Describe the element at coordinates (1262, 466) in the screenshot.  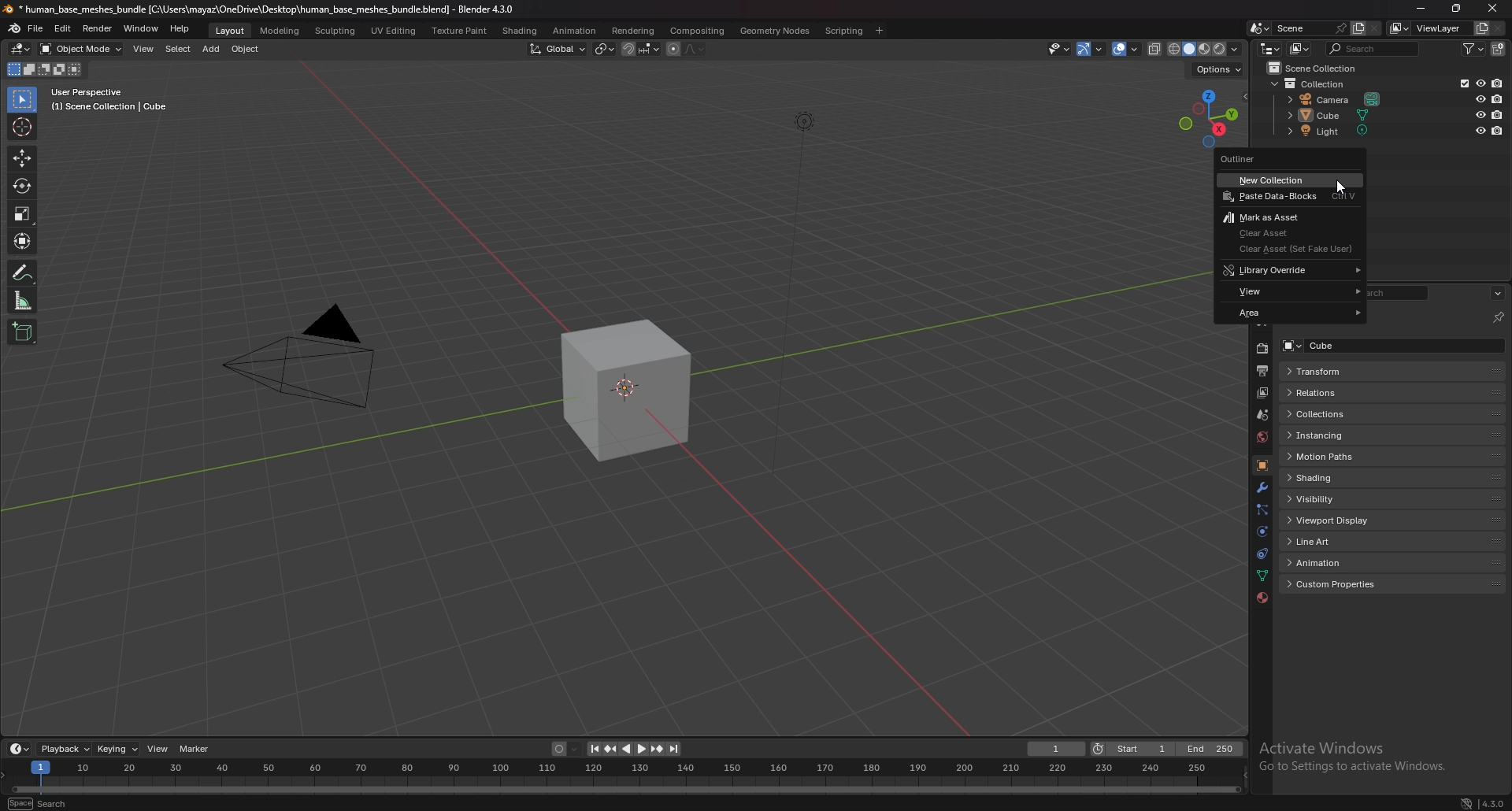
I see `object` at that location.